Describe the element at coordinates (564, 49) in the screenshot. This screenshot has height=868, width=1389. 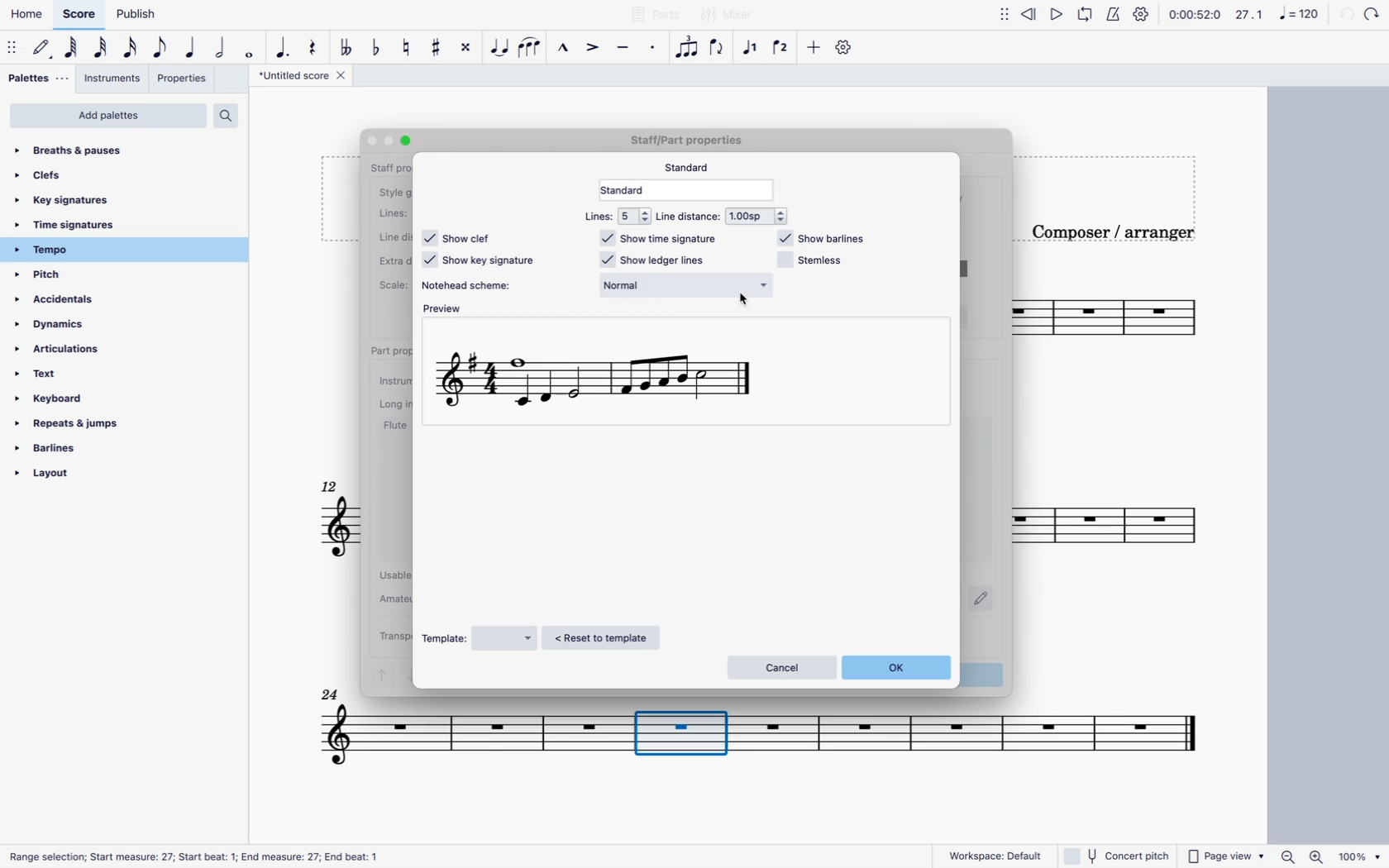
I see `marcato` at that location.